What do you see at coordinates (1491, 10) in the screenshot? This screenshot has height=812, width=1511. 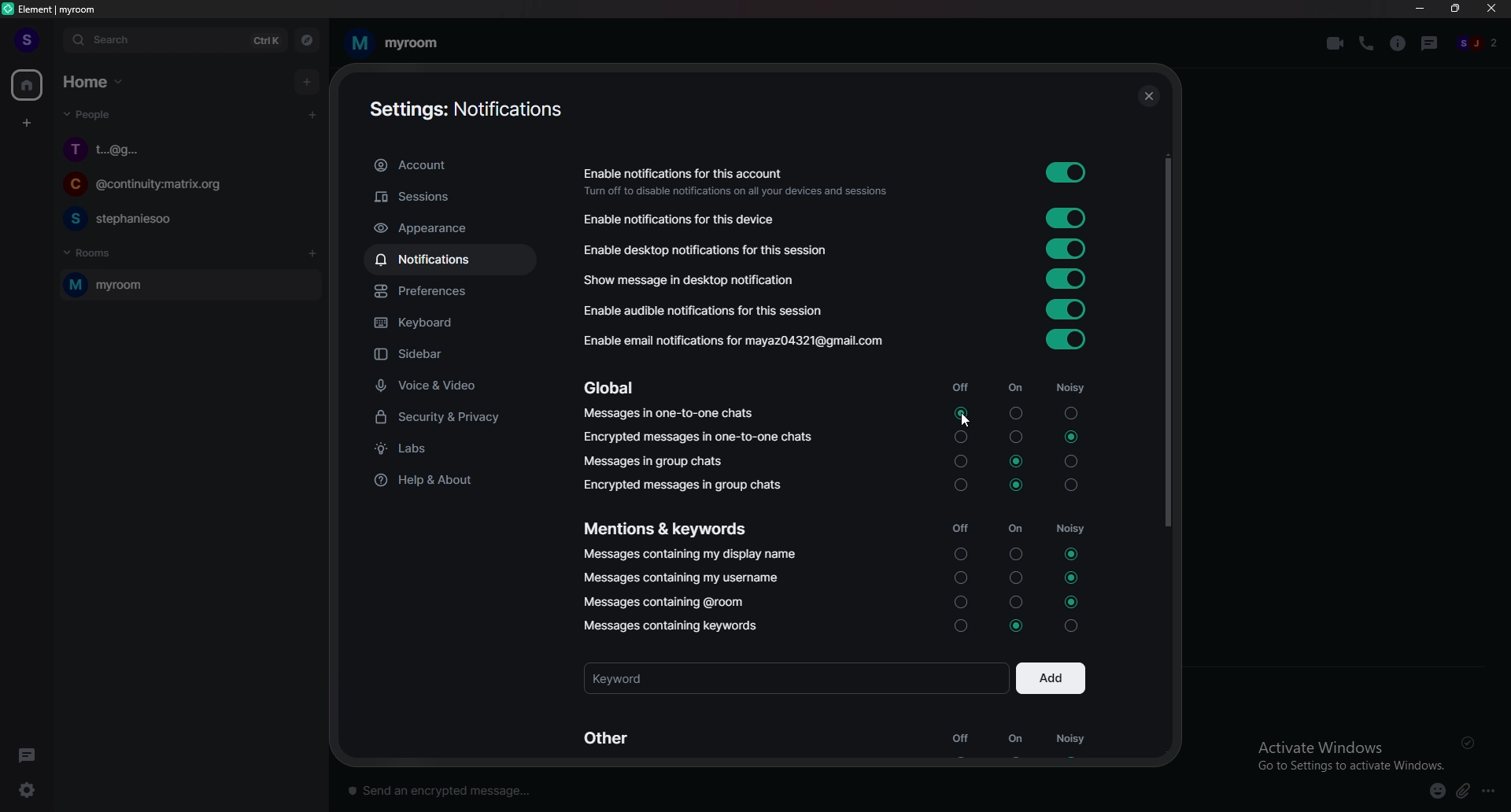 I see `close` at bounding box center [1491, 10].